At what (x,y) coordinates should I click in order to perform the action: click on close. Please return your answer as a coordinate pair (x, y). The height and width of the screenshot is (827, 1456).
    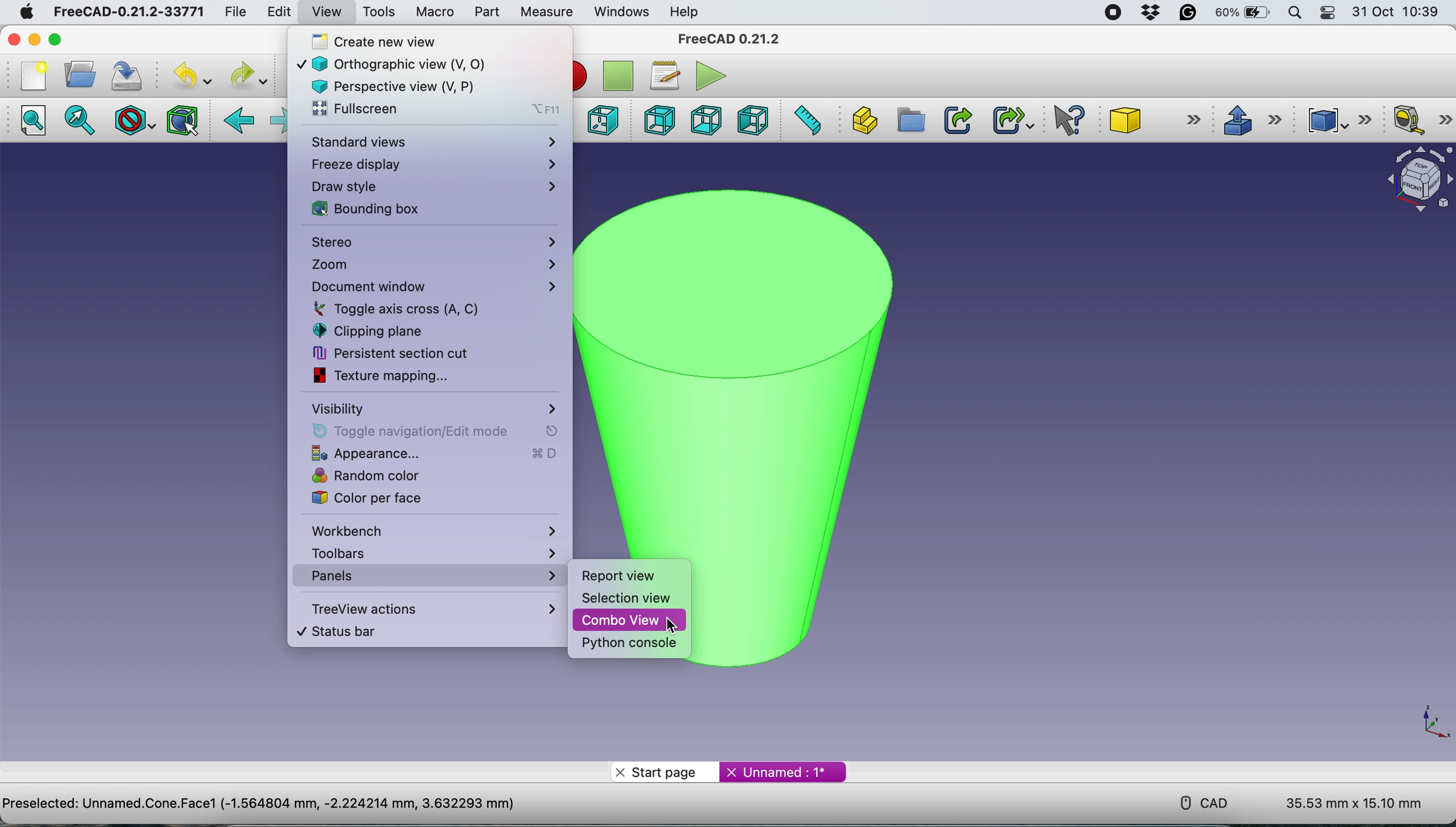
    Looking at the image, I should click on (16, 40).